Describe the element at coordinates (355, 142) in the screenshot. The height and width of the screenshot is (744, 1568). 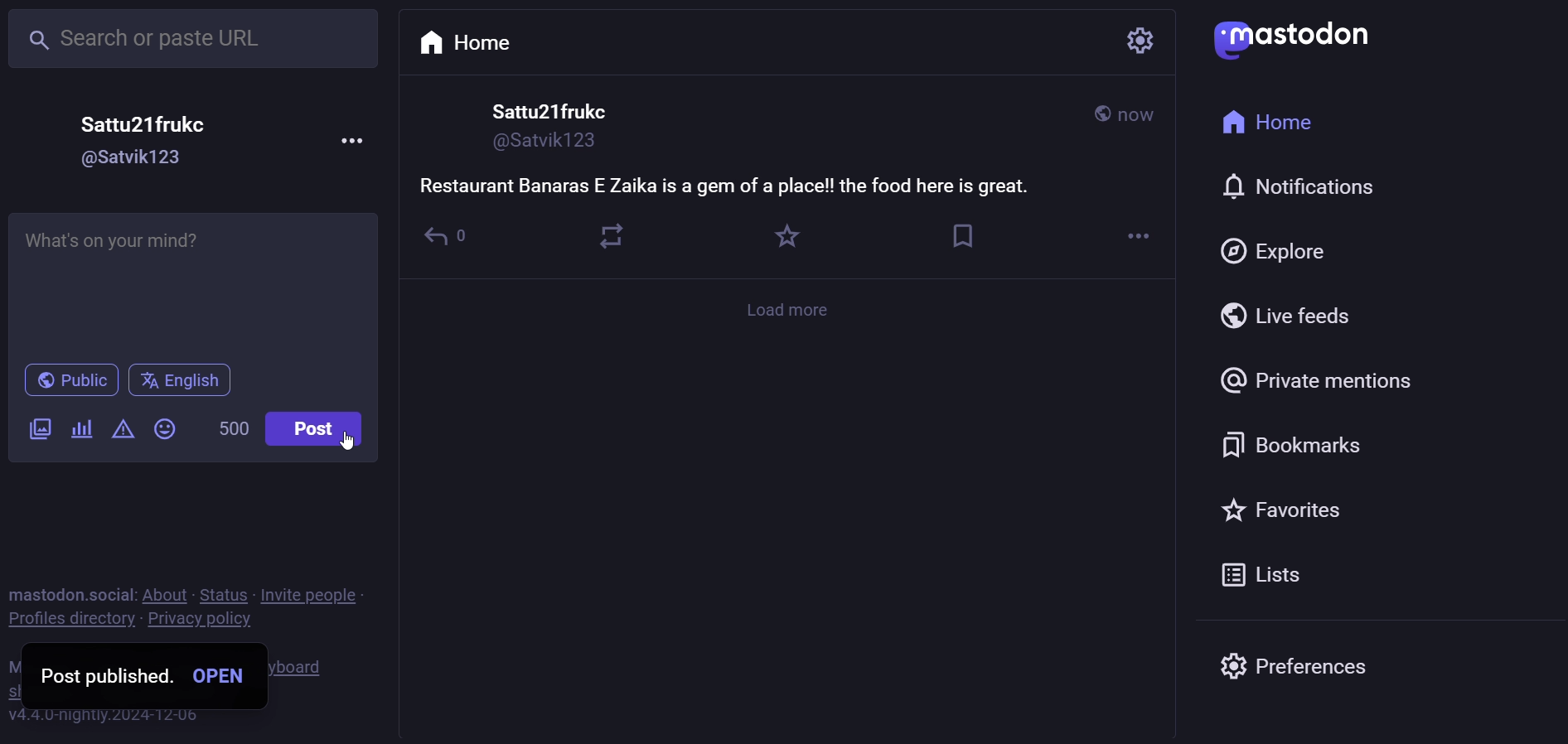
I see `more` at that location.